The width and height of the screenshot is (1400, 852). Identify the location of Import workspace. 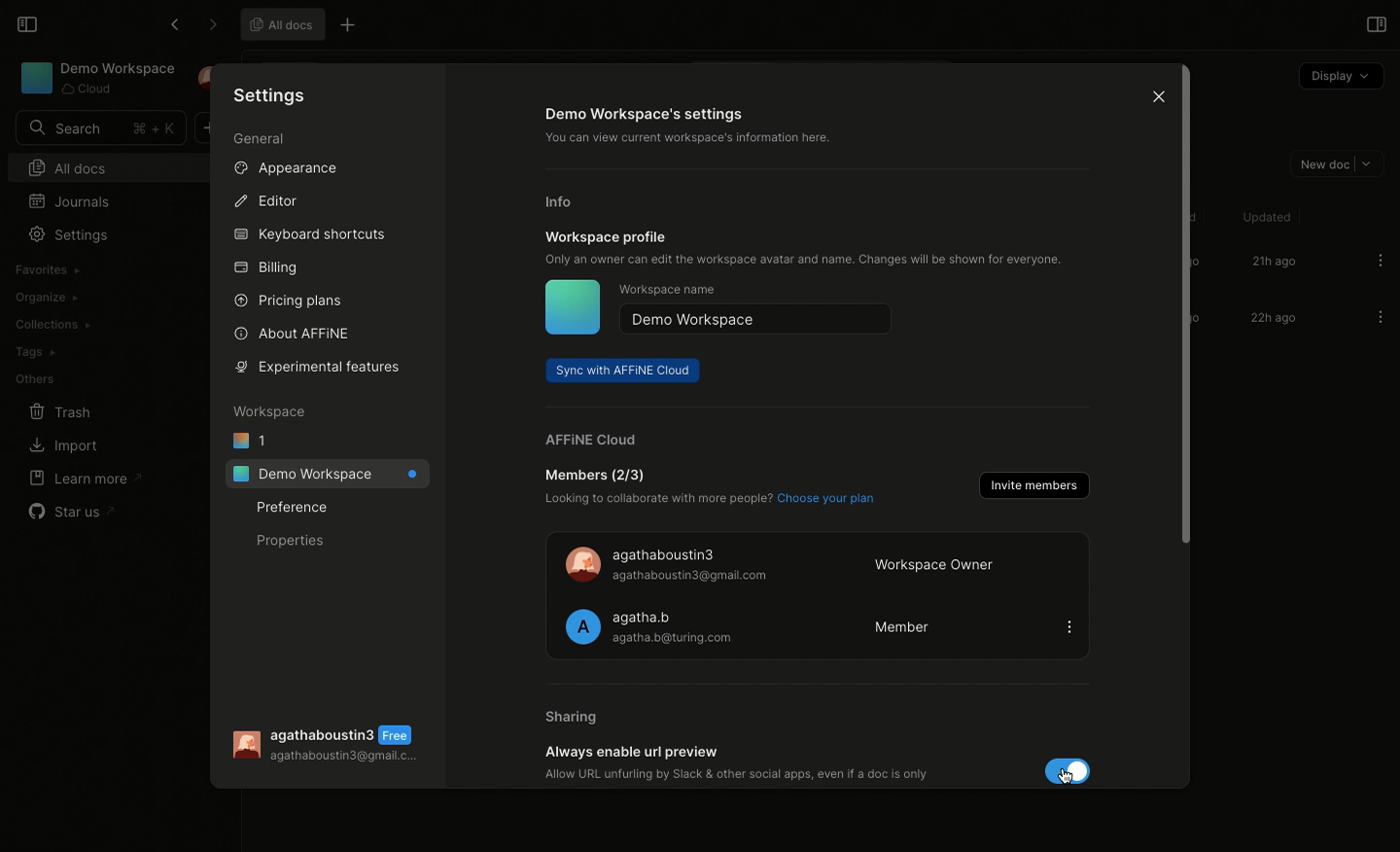
(91, 268).